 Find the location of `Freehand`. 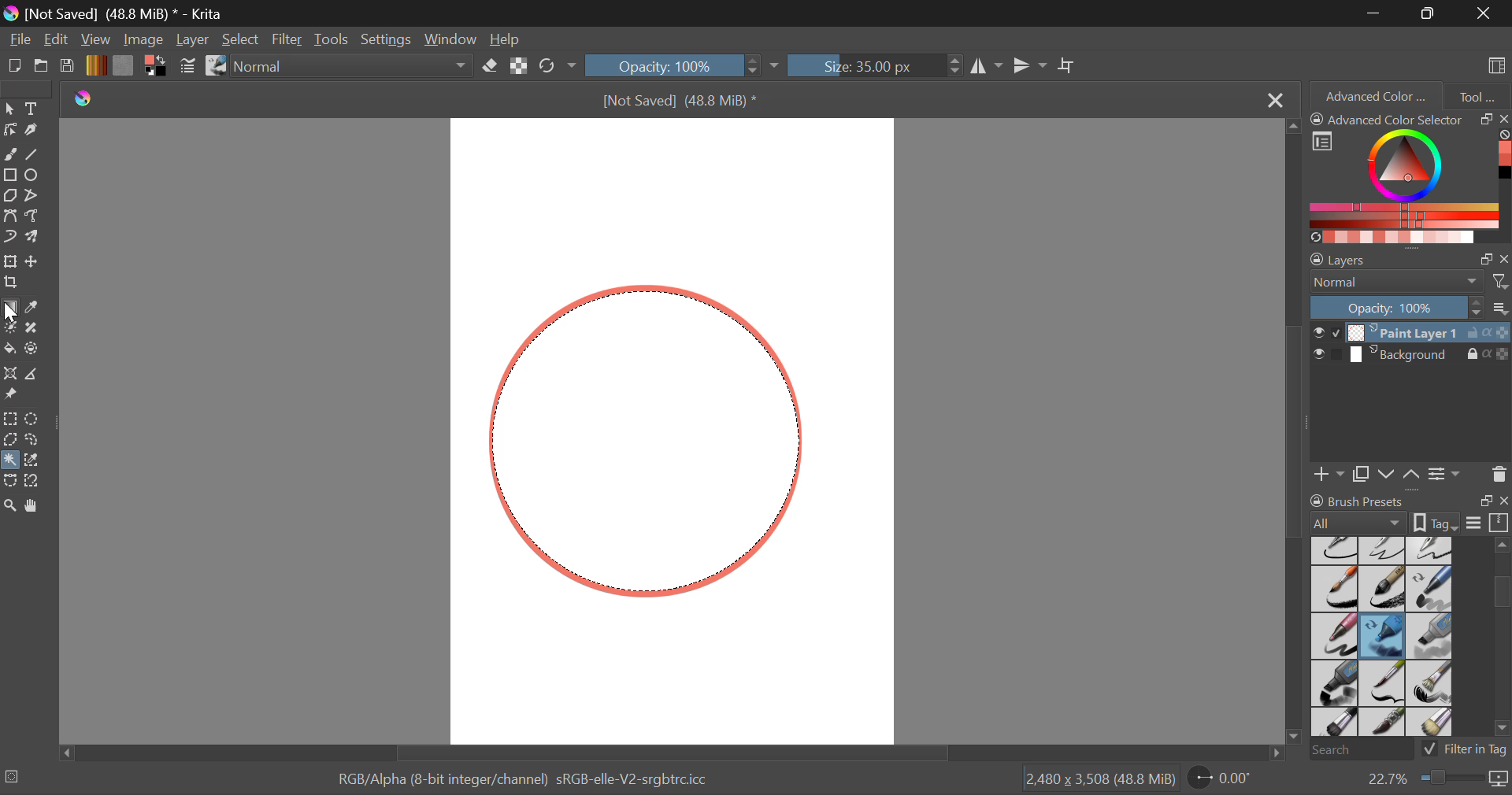

Freehand is located at coordinates (11, 154).